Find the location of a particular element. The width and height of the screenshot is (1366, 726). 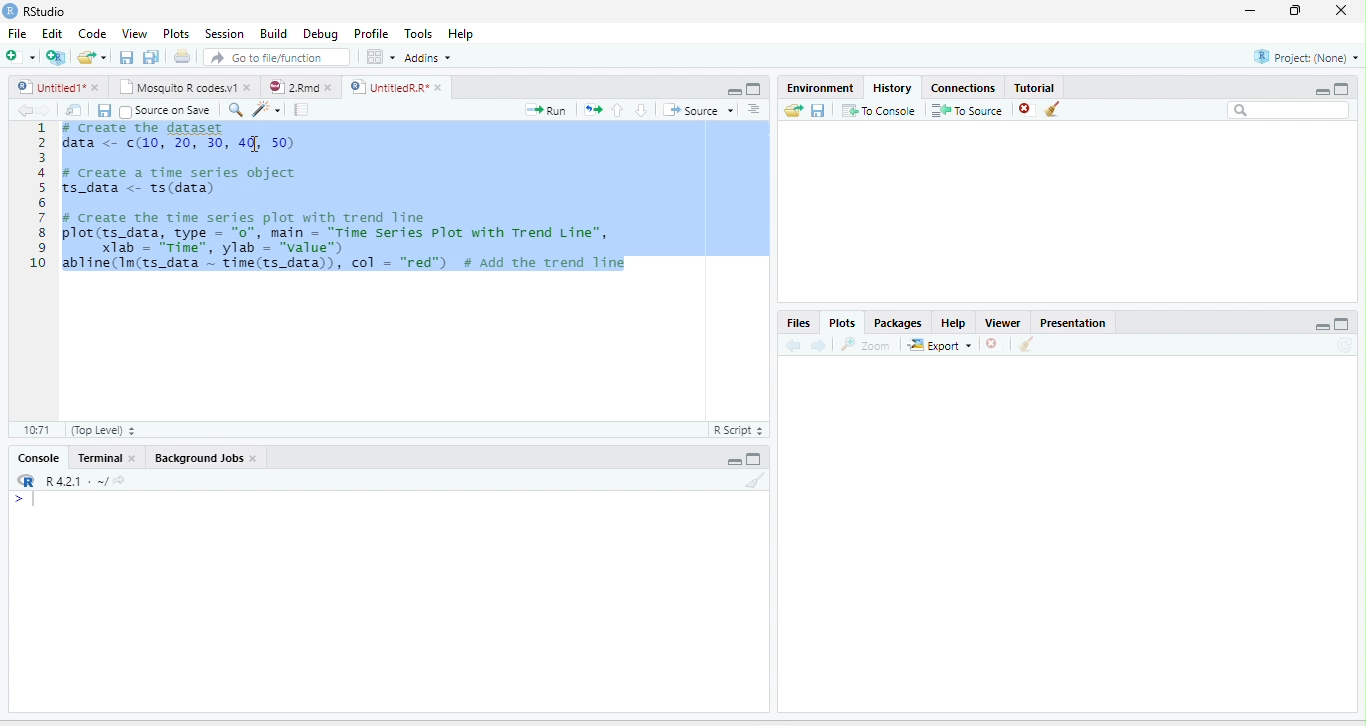

History is located at coordinates (893, 87).